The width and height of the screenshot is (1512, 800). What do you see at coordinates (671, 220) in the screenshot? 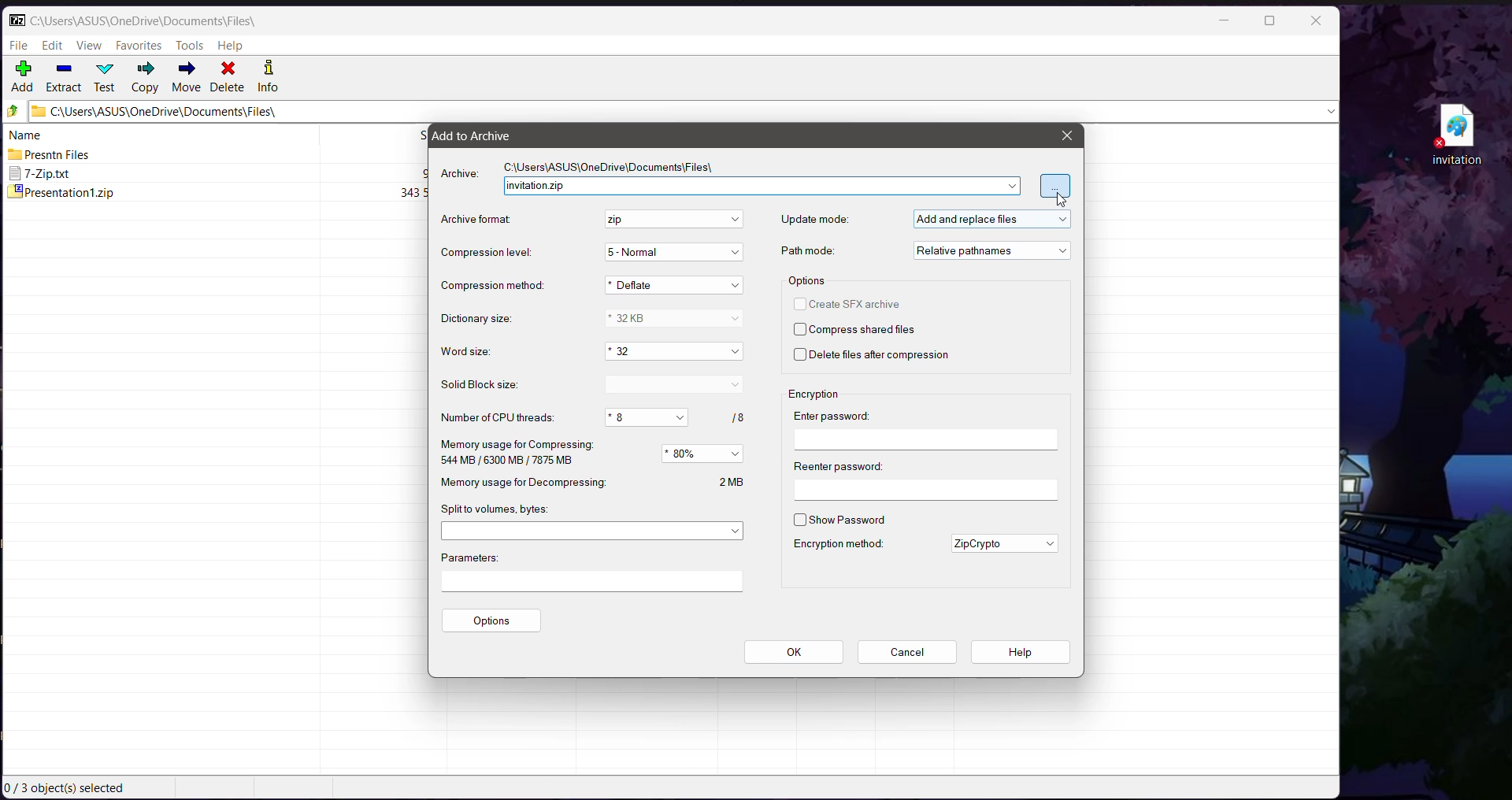
I see `Set the archive format` at bounding box center [671, 220].